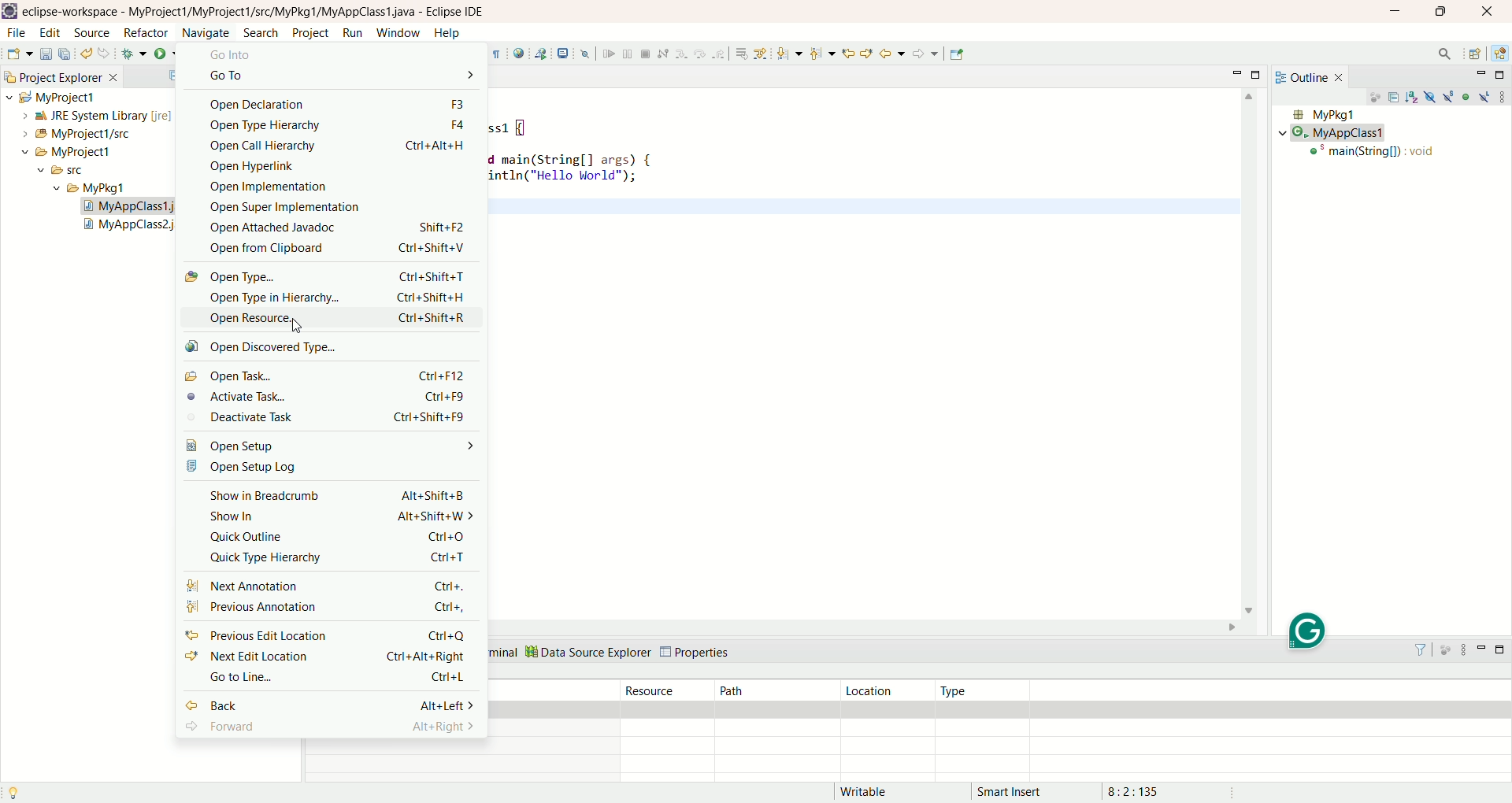 This screenshot has width=1512, height=803. Describe the element at coordinates (1445, 55) in the screenshot. I see `search` at that location.